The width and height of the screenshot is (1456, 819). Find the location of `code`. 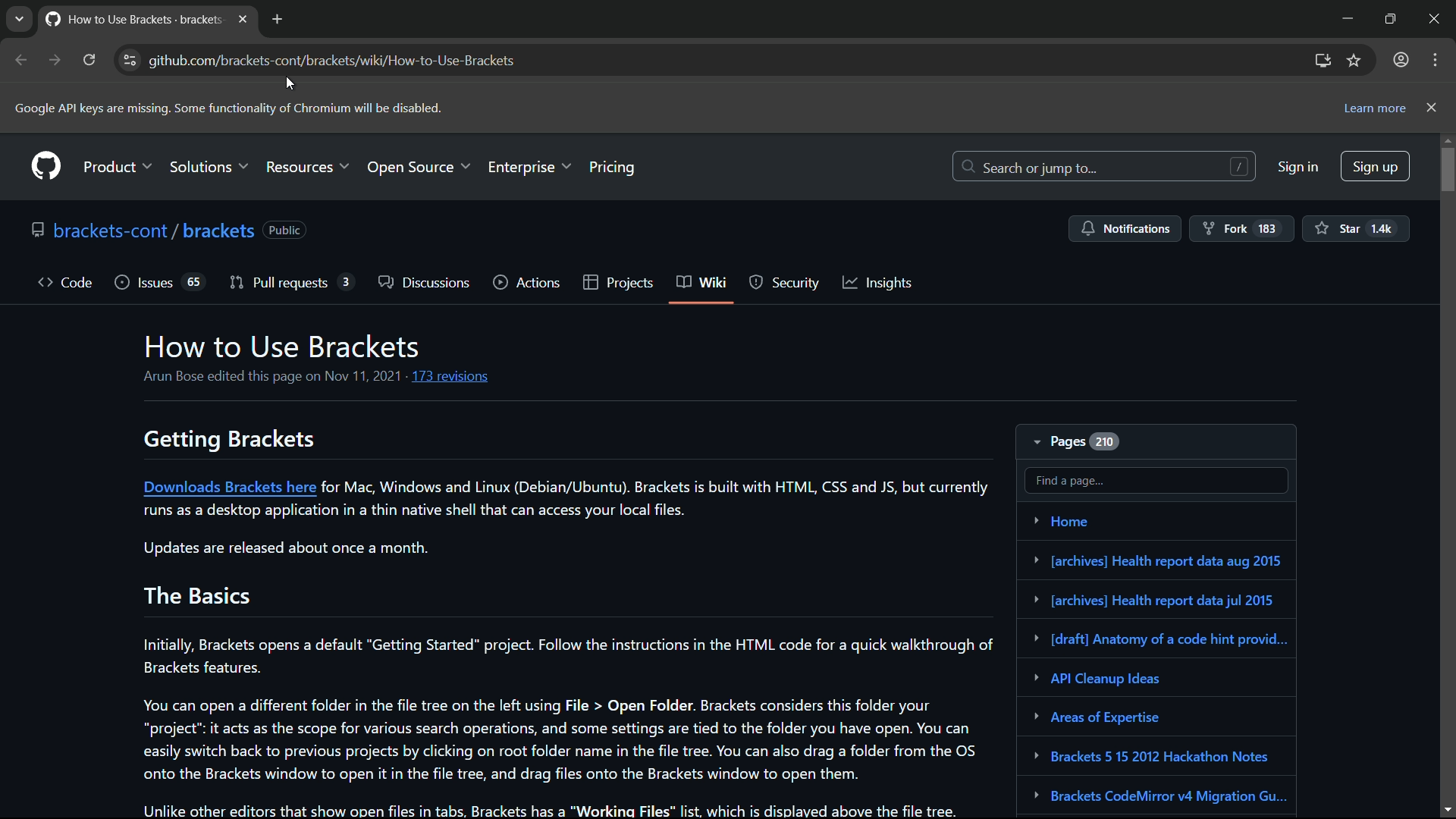

code is located at coordinates (61, 282).